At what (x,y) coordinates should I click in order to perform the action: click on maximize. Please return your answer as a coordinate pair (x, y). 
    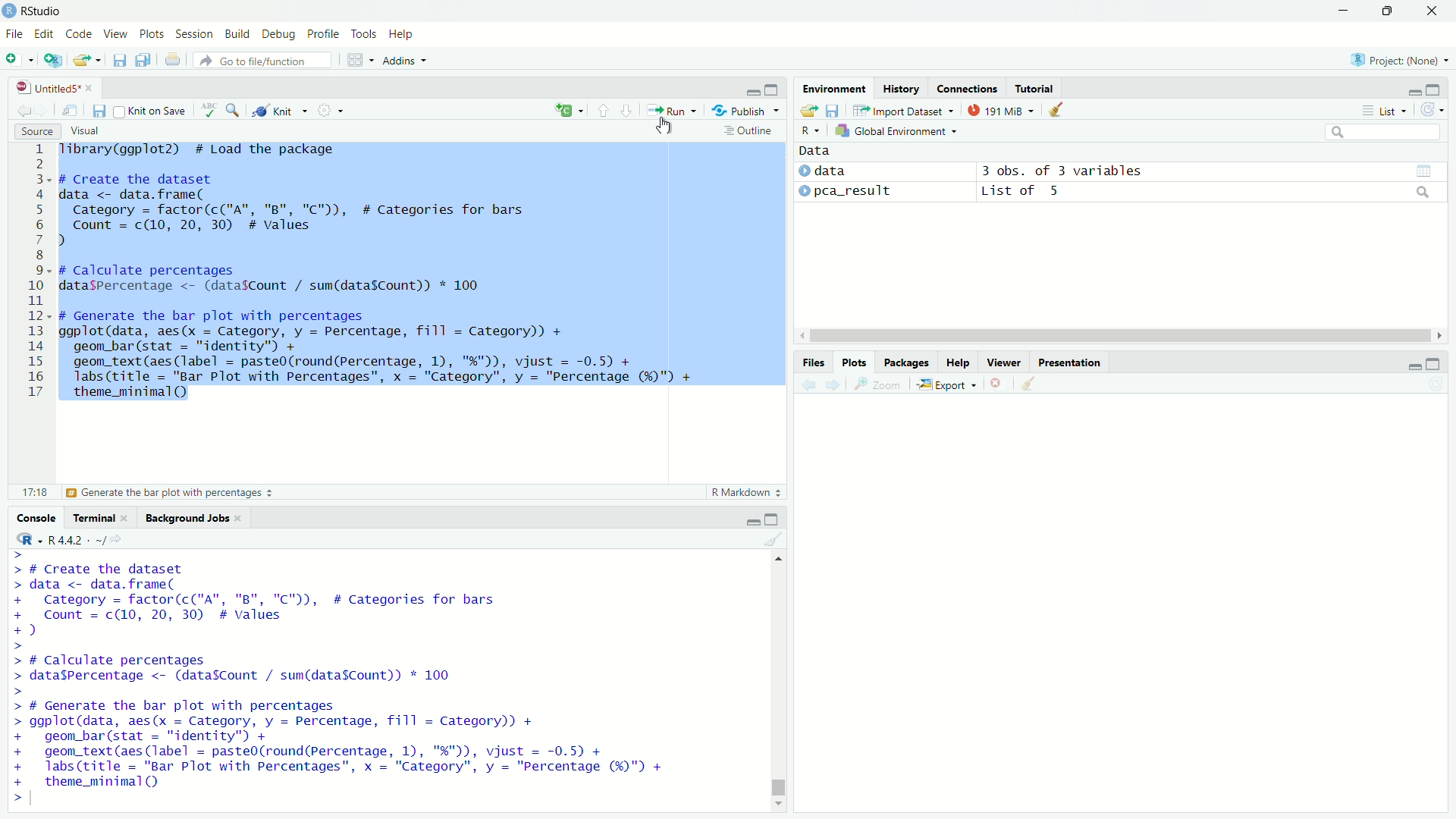
    Looking at the image, I should click on (1436, 89).